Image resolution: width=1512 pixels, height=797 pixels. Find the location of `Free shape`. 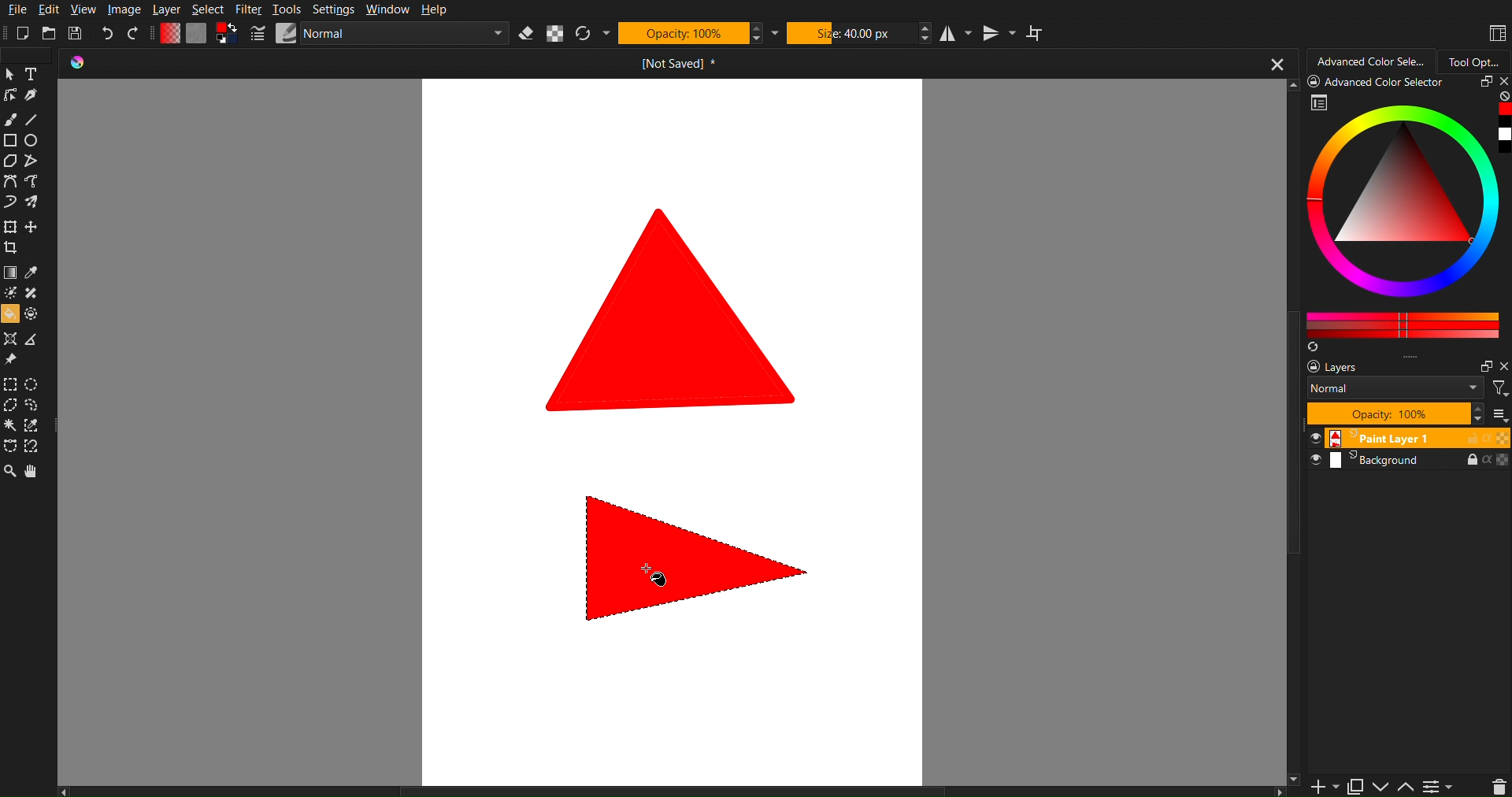

Free shape is located at coordinates (30, 161).